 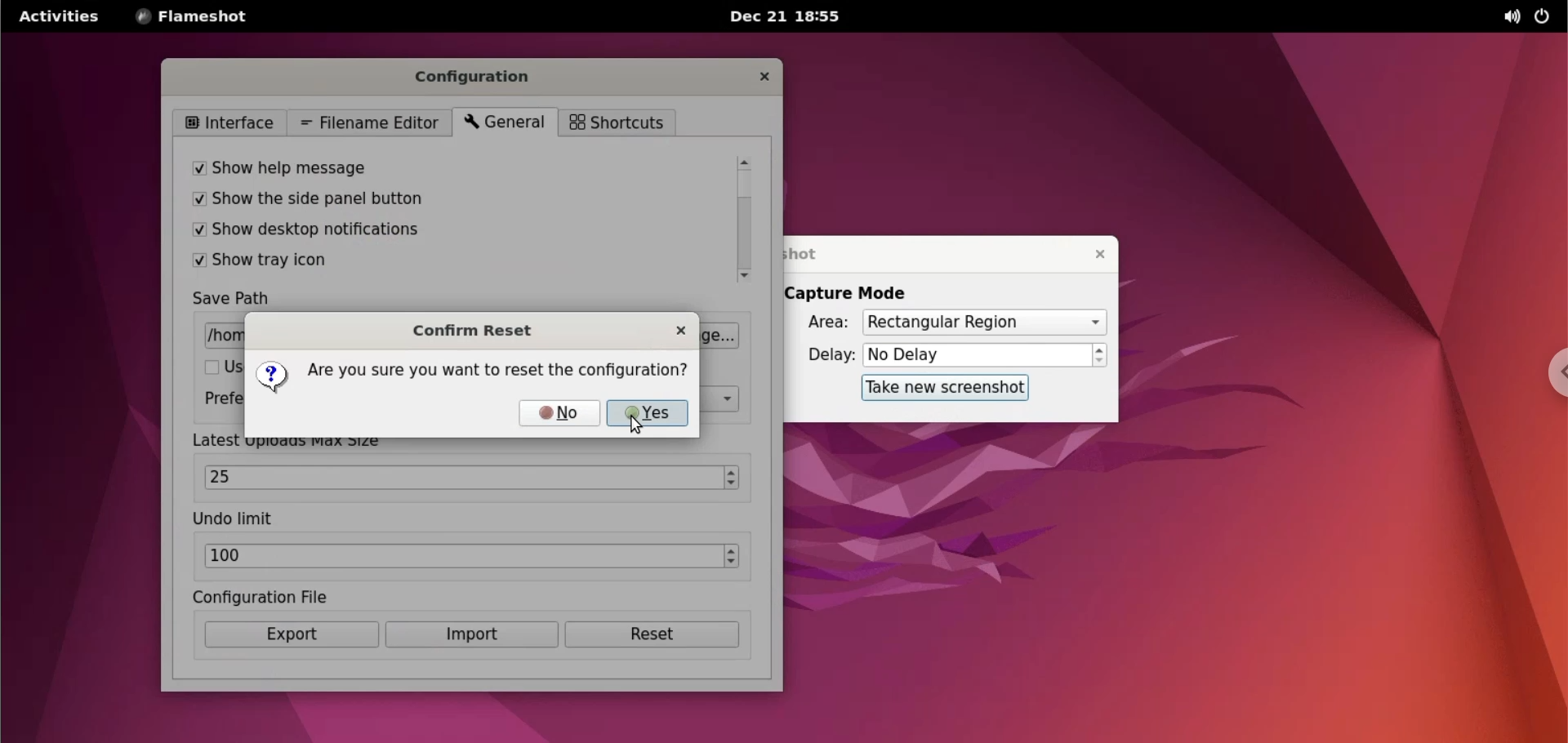 What do you see at coordinates (239, 519) in the screenshot?
I see `undo limit` at bounding box center [239, 519].